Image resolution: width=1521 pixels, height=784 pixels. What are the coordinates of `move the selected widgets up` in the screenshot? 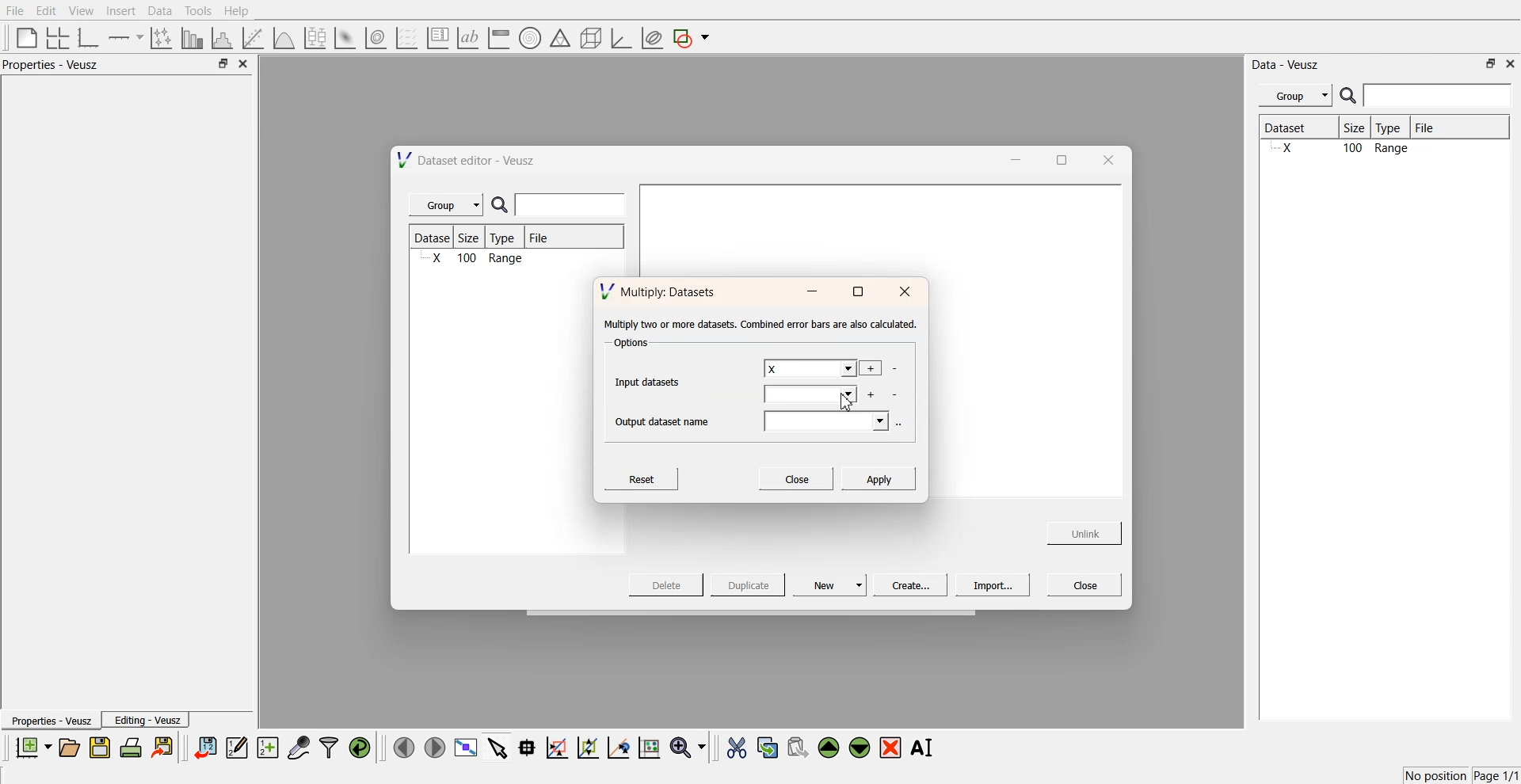 It's located at (830, 748).